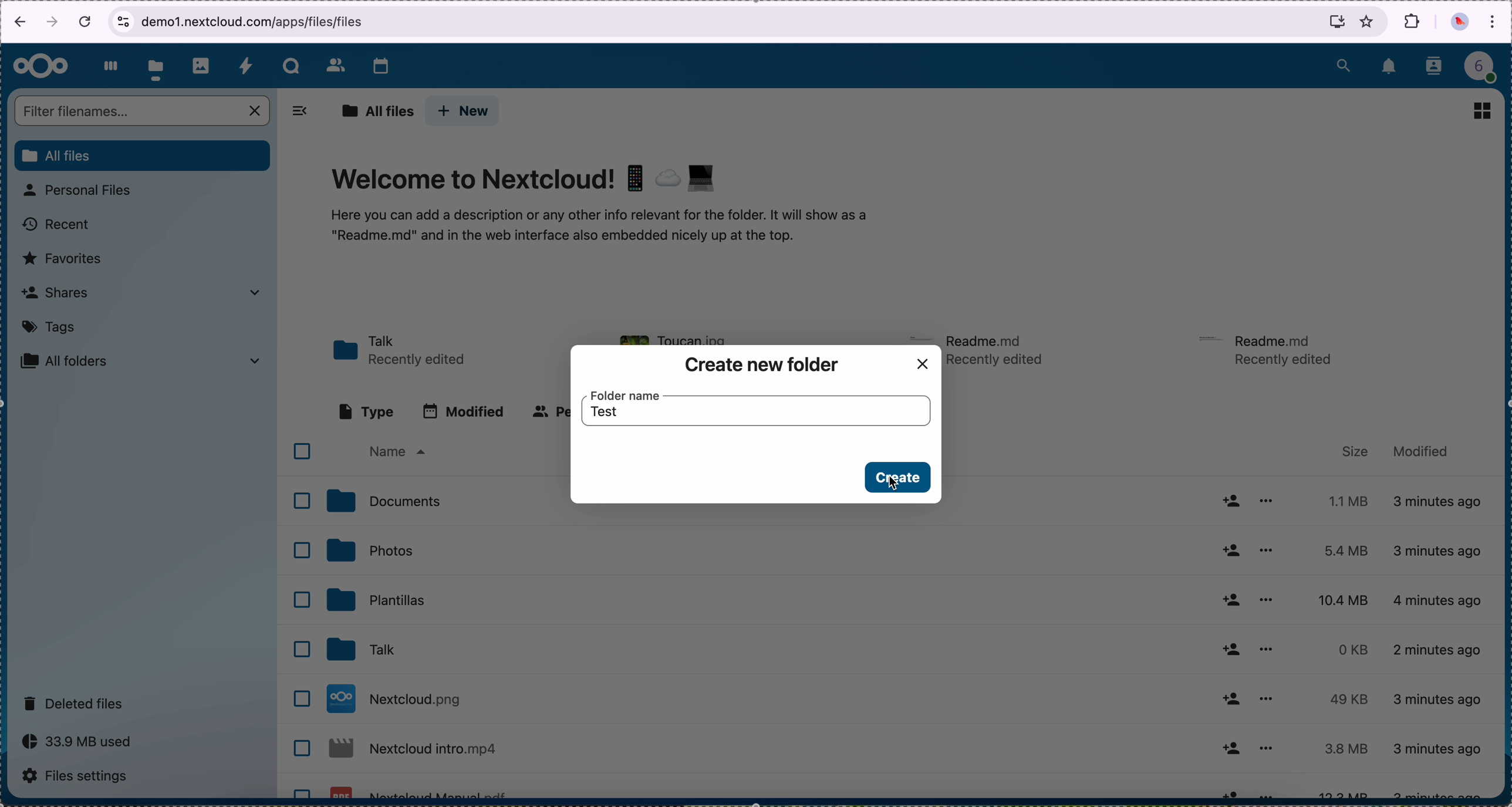  Describe the element at coordinates (291, 66) in the screenshot. I see `talk` at that location.